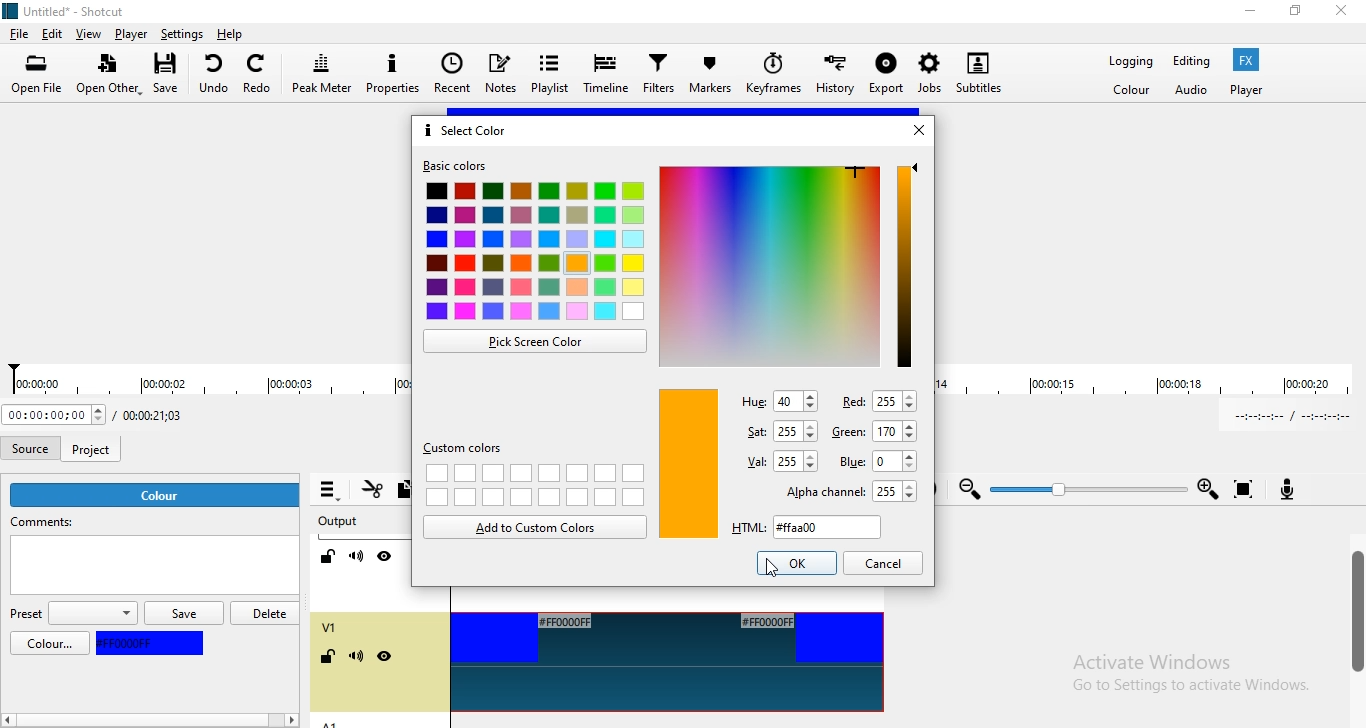 The width and height of the screenshot is (1366, 728). Describe the element at coordinates (665, 666) in the screenshot. I see `video track` at that location.